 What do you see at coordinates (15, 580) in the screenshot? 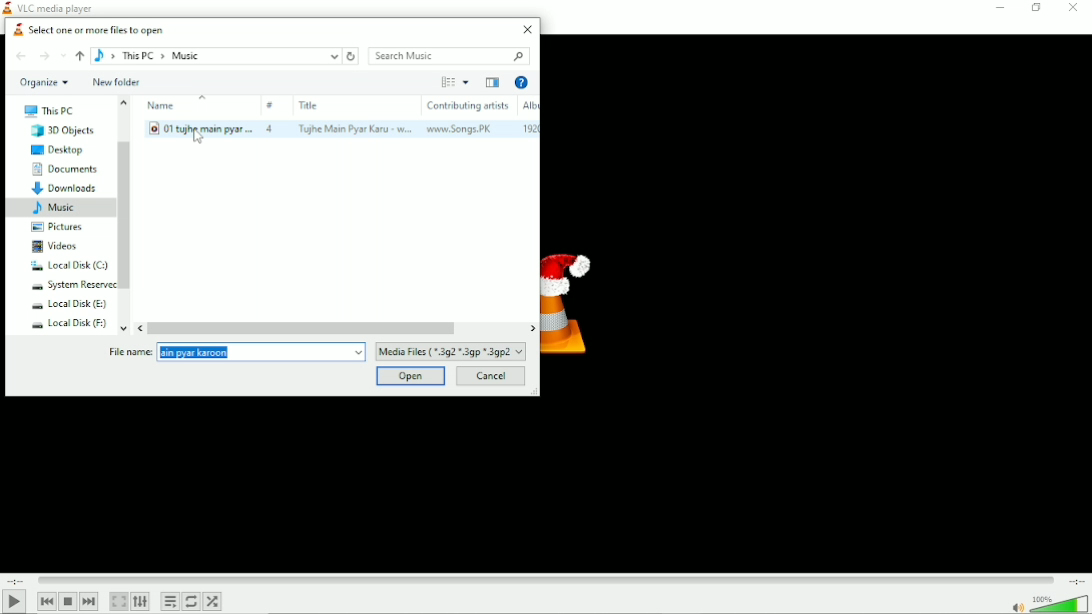
I see `Elapsed time` at bounding box center [15, 580].